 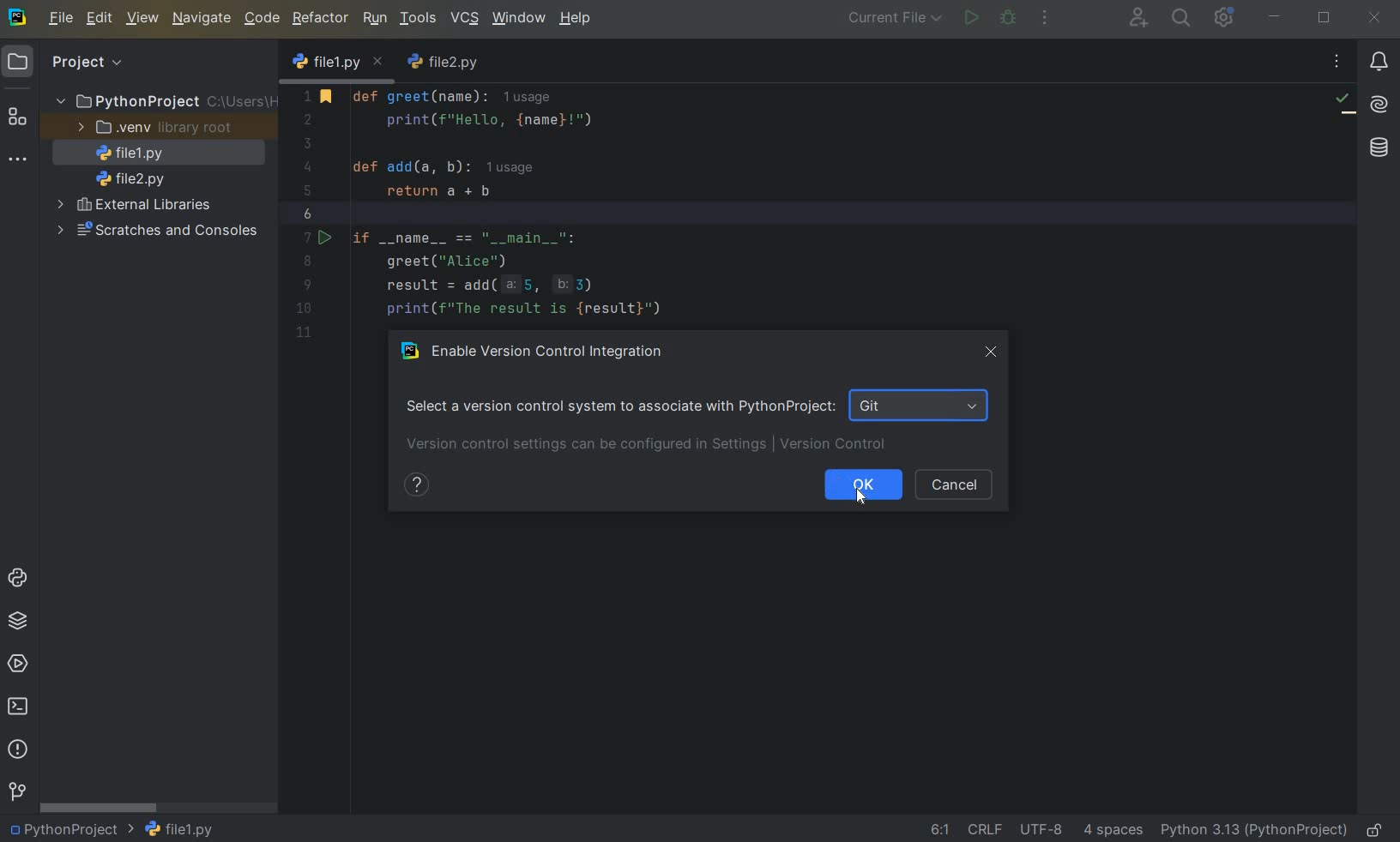 I want to click on terminal, so click(x=20, y=709).